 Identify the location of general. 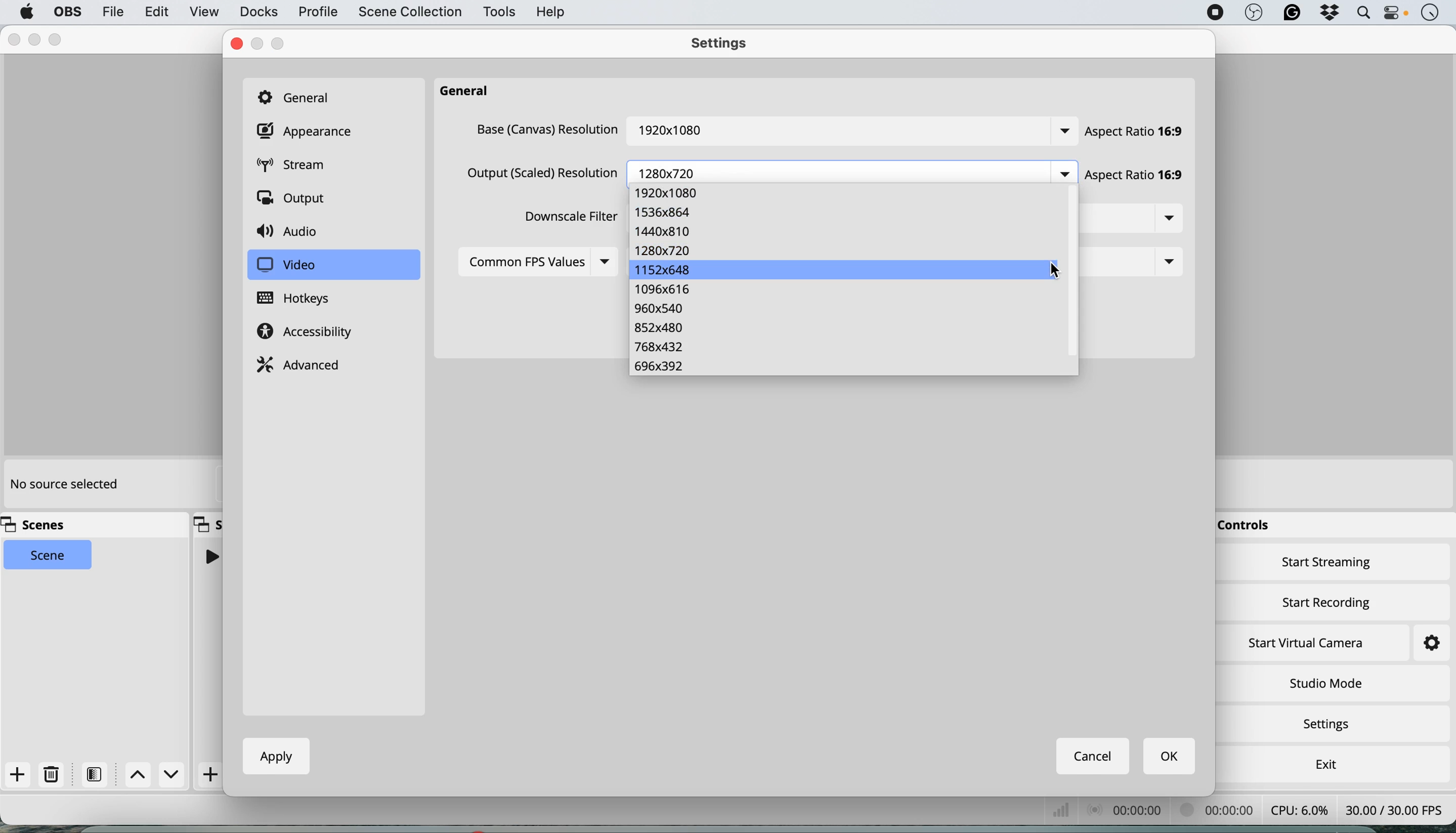
(470, 92).